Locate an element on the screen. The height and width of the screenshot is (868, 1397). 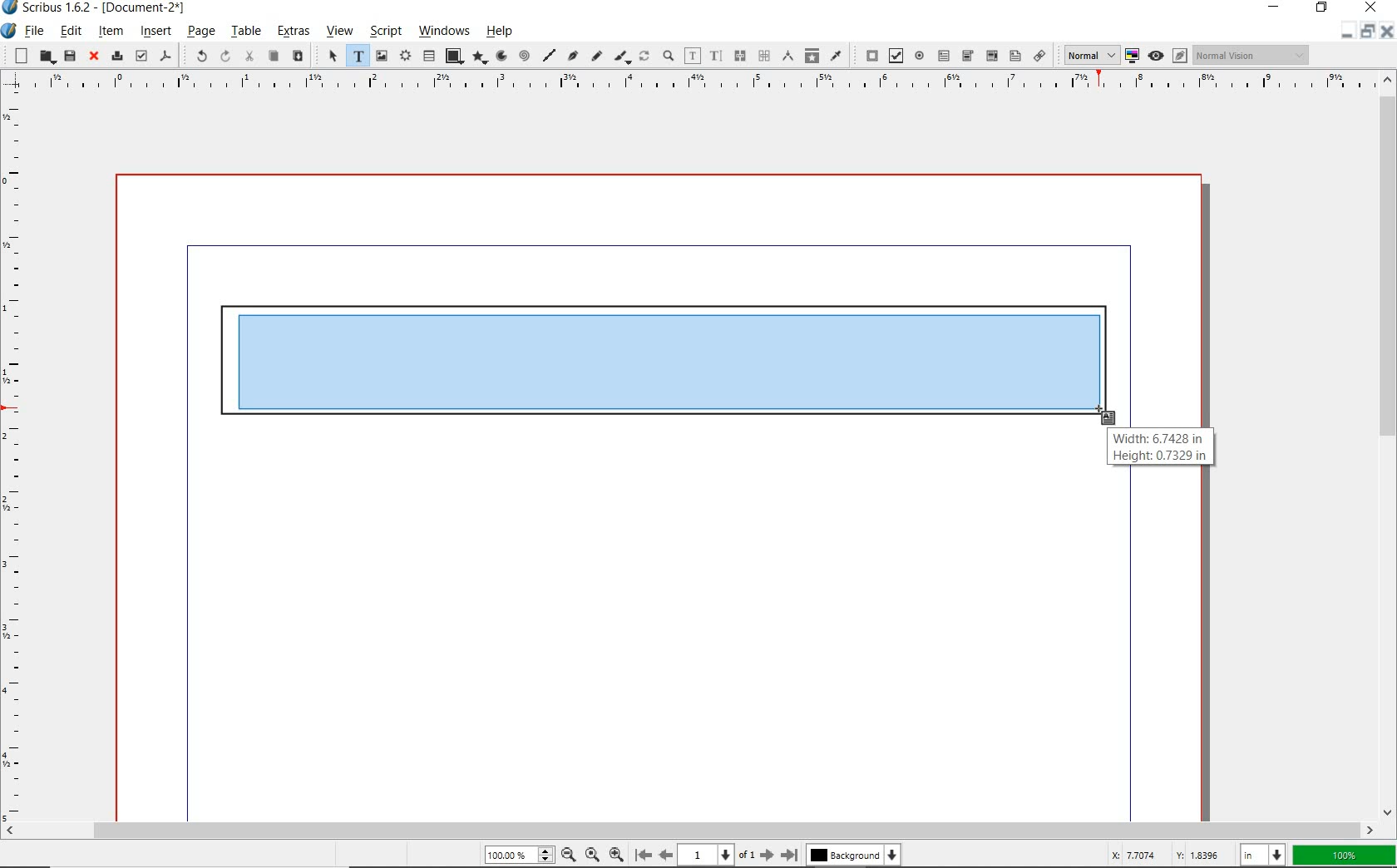
edit text with story editor is located at coordinates (716, 57).